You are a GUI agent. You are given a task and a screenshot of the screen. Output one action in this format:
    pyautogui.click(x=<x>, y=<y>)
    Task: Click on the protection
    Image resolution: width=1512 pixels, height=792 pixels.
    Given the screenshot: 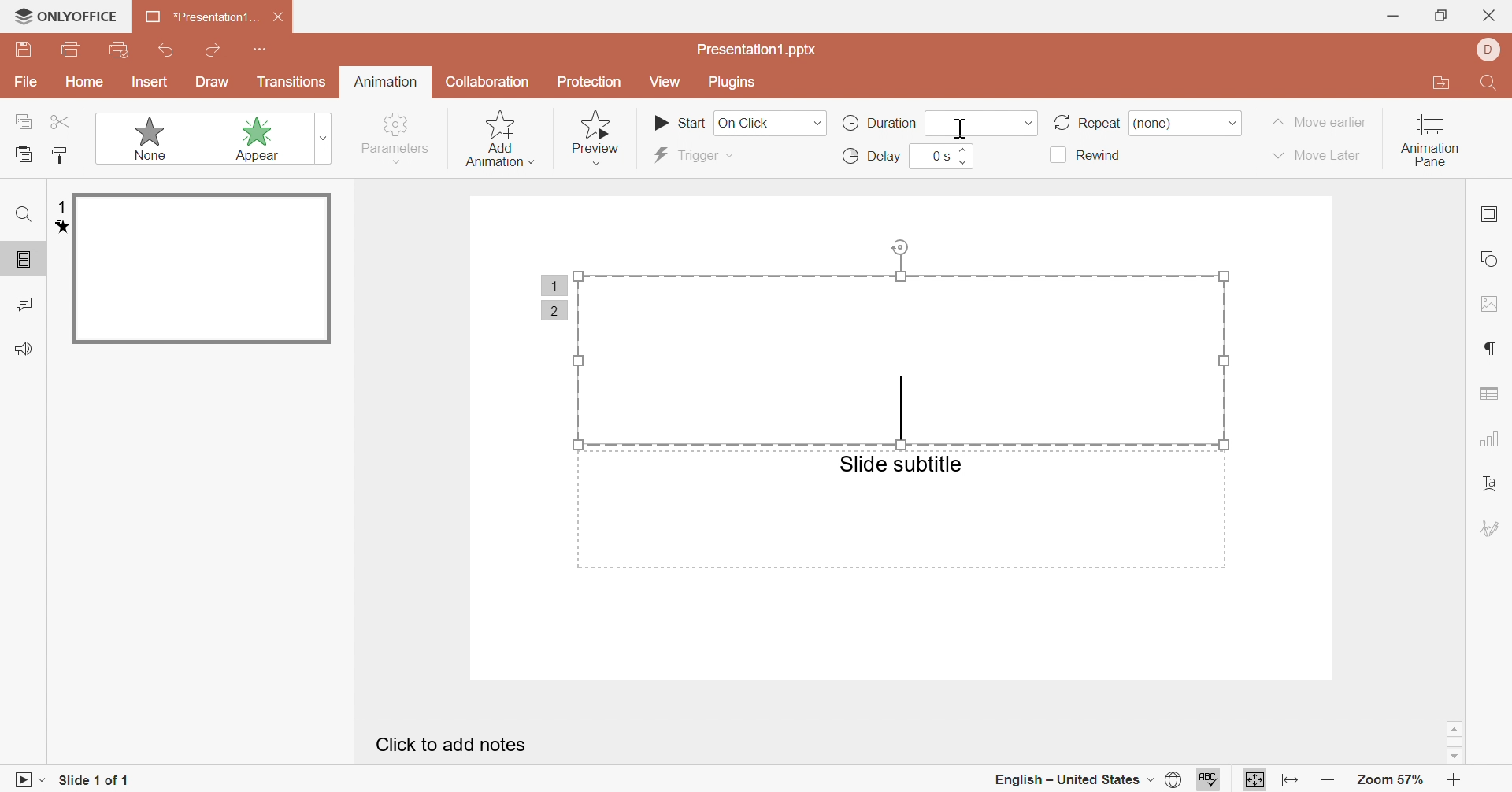 What is the action you would take?
    pyautogui.click(x=588, y=83)
    